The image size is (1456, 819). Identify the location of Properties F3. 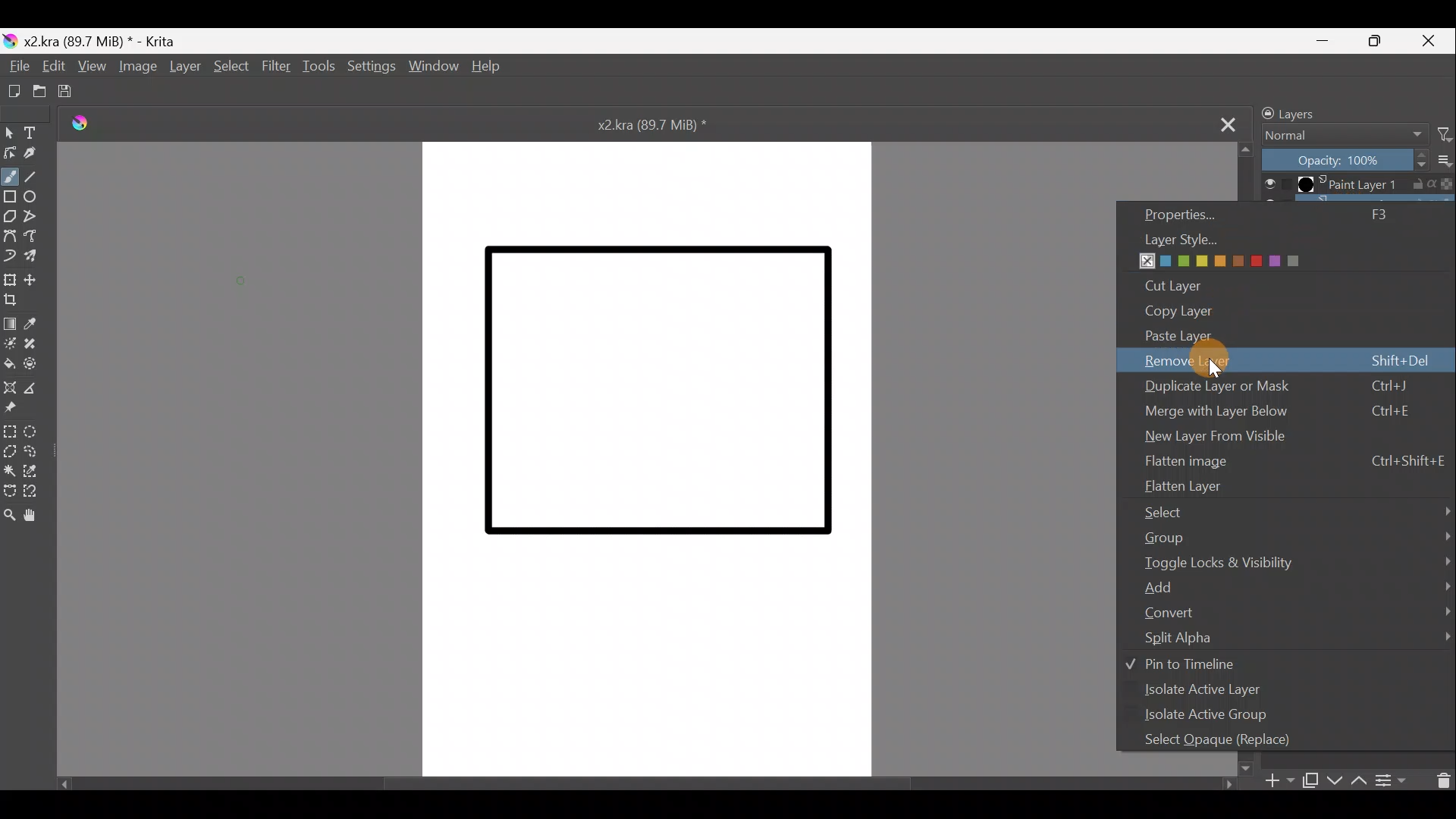
(1285, 214).